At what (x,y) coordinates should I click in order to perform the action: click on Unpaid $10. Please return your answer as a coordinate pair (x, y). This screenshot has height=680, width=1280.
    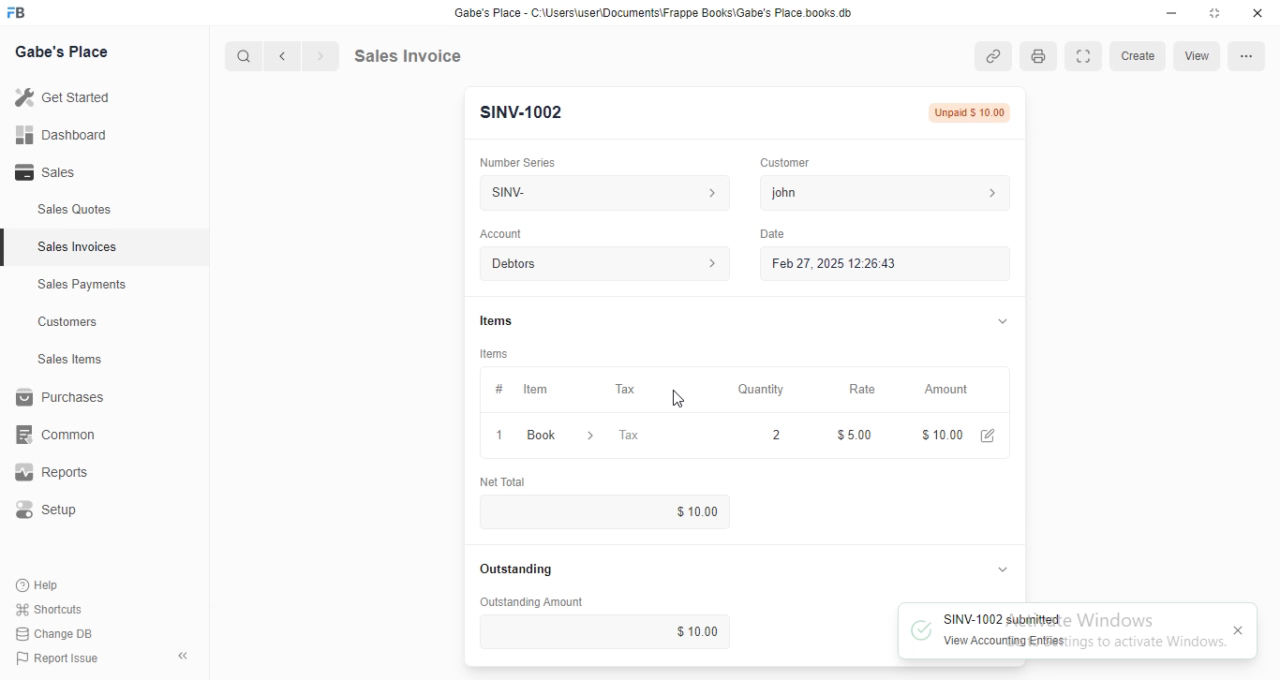
    Looking at the image, I should click on (970, 111).